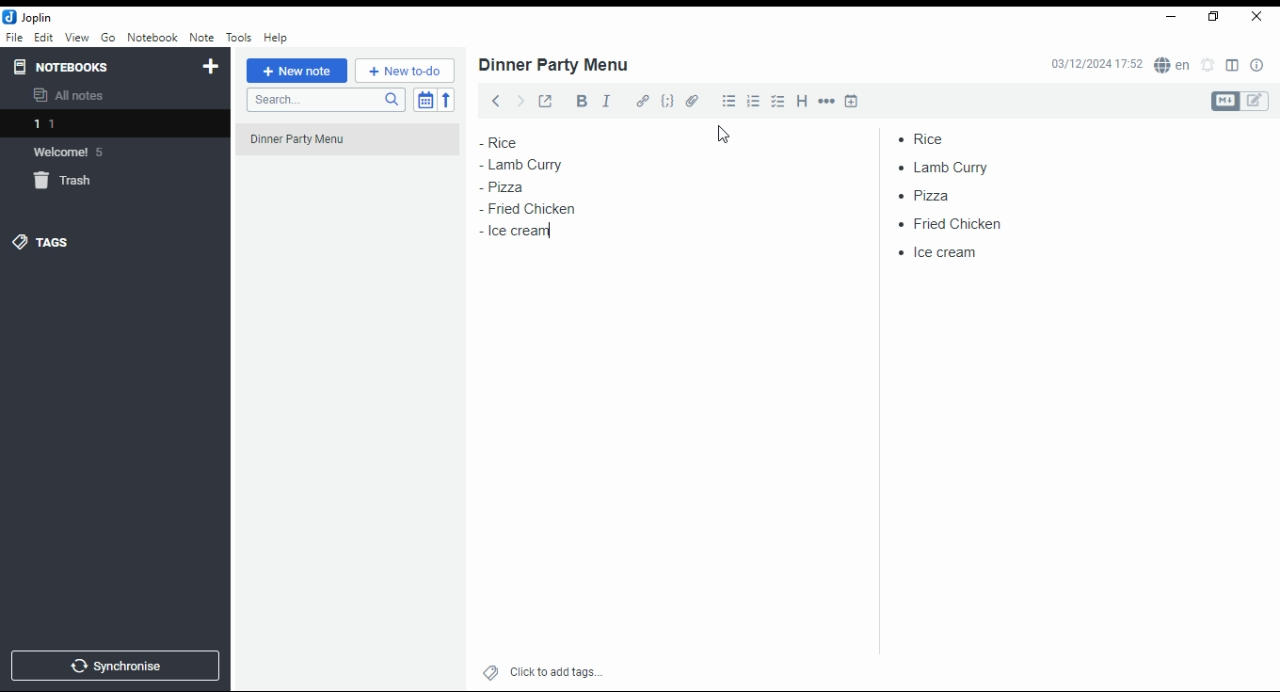 This screenshot has height=692, width=1280. Describe the element at coordinates (1094, 65) in the screenshot. I see `03/12/2024 17:51` at that location.